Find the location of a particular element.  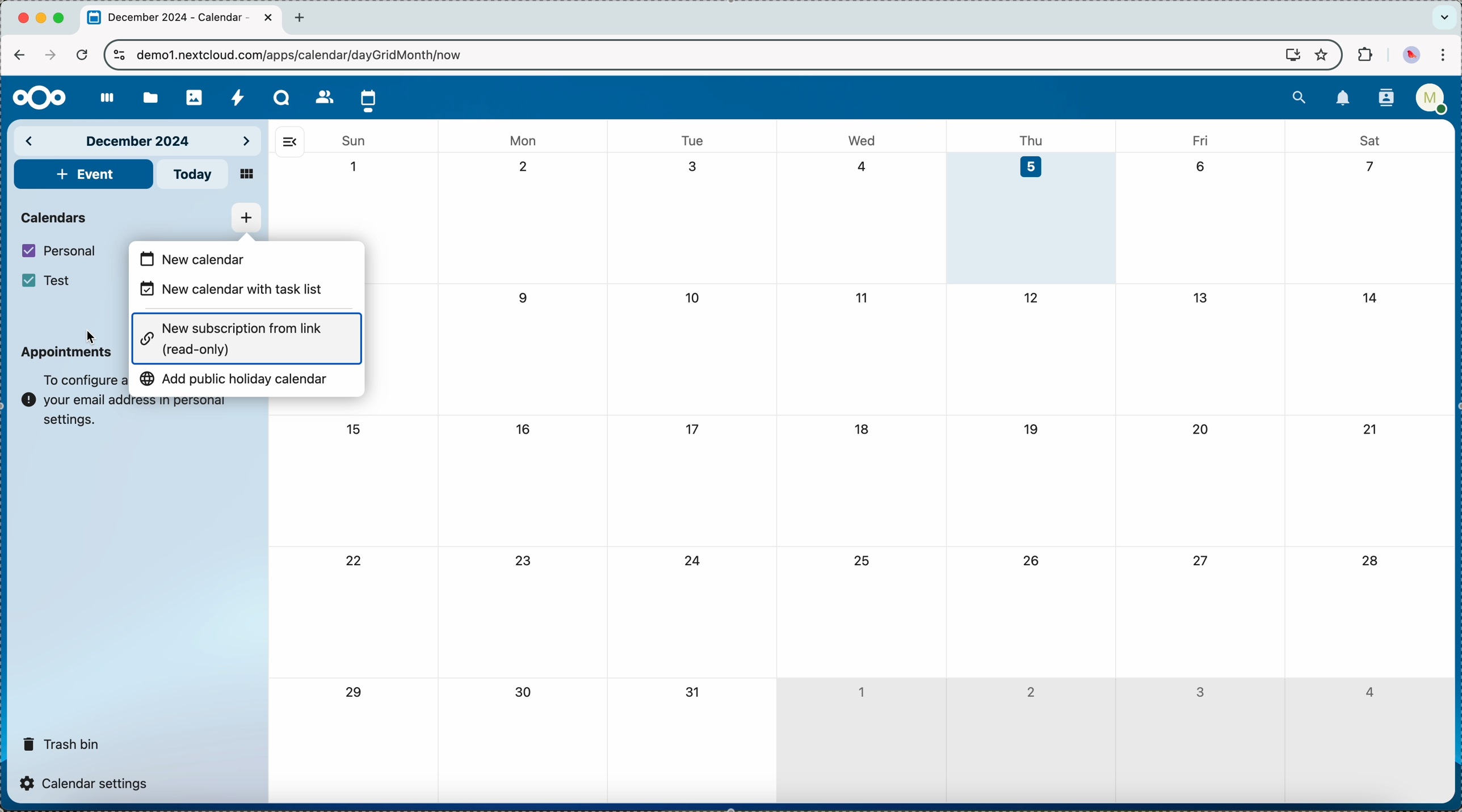

9 is located at coordinates (526, 297).